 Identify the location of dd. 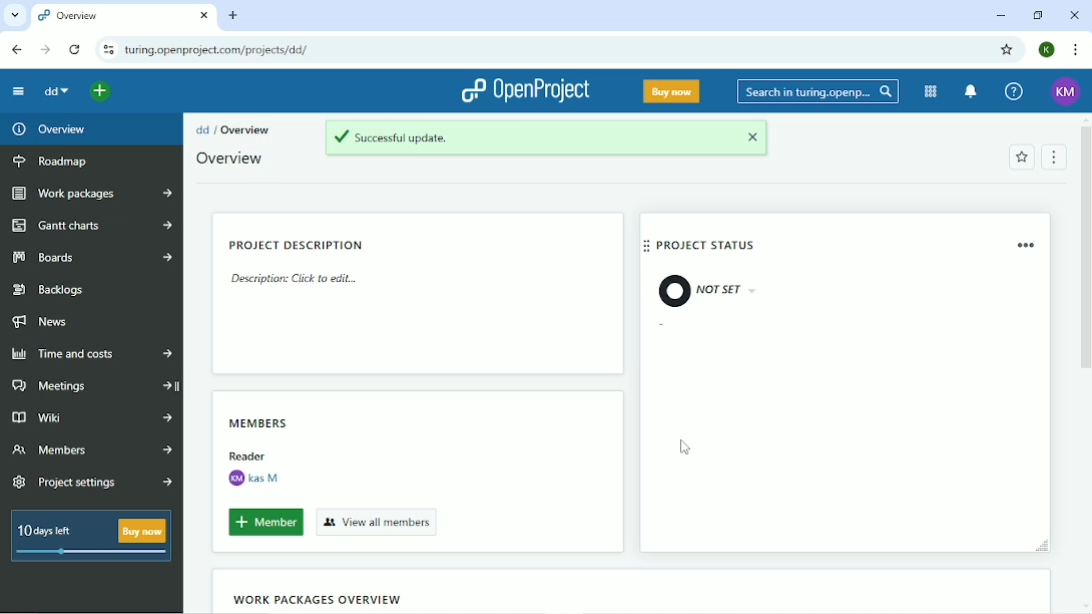
(55, 91).